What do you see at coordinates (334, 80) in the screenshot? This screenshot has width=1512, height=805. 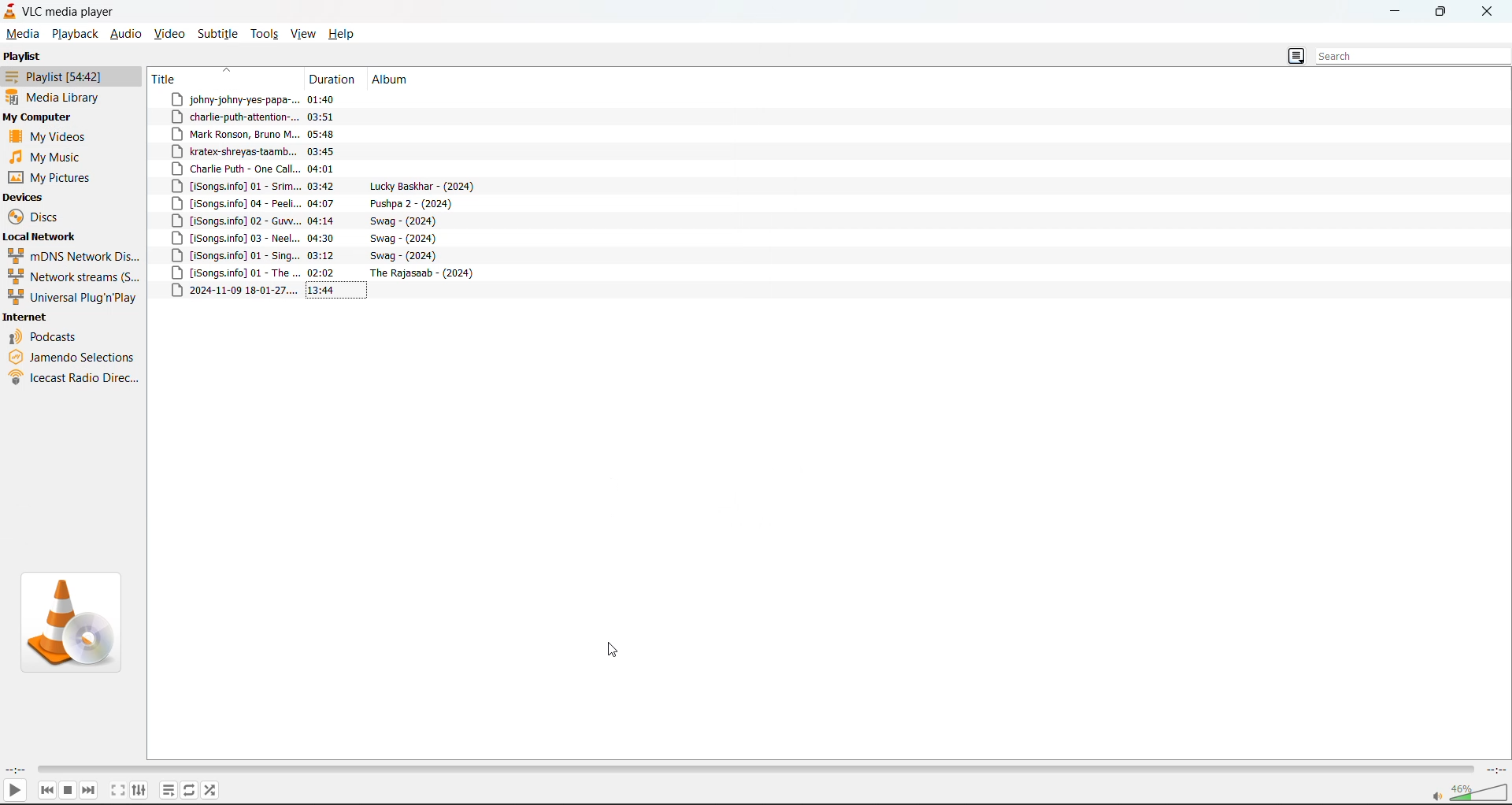 I see `duration` at bounding box center [334, 80].